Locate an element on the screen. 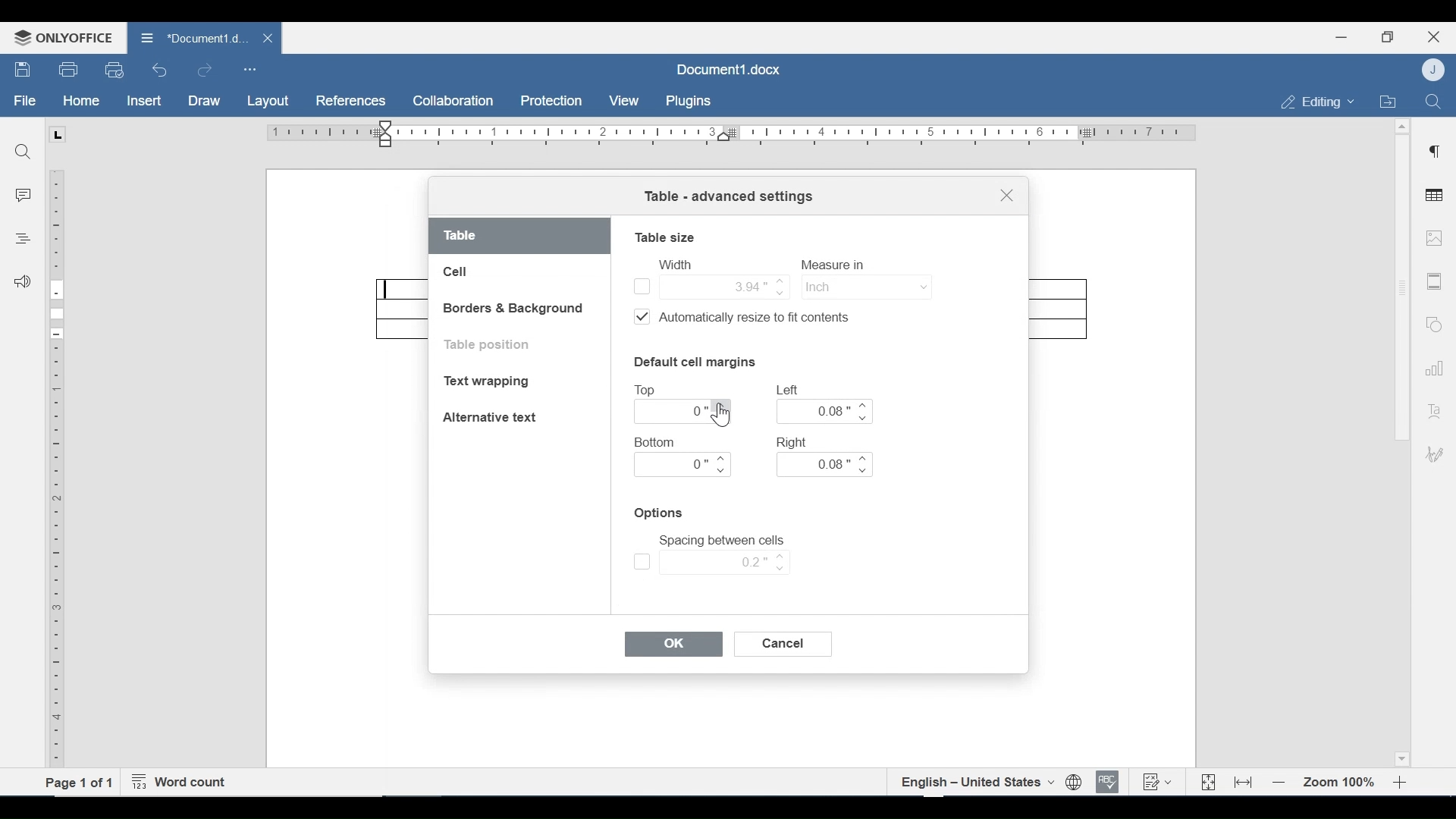 The image size is (1456, 819). Restore is located at coordinates (1387, 37).